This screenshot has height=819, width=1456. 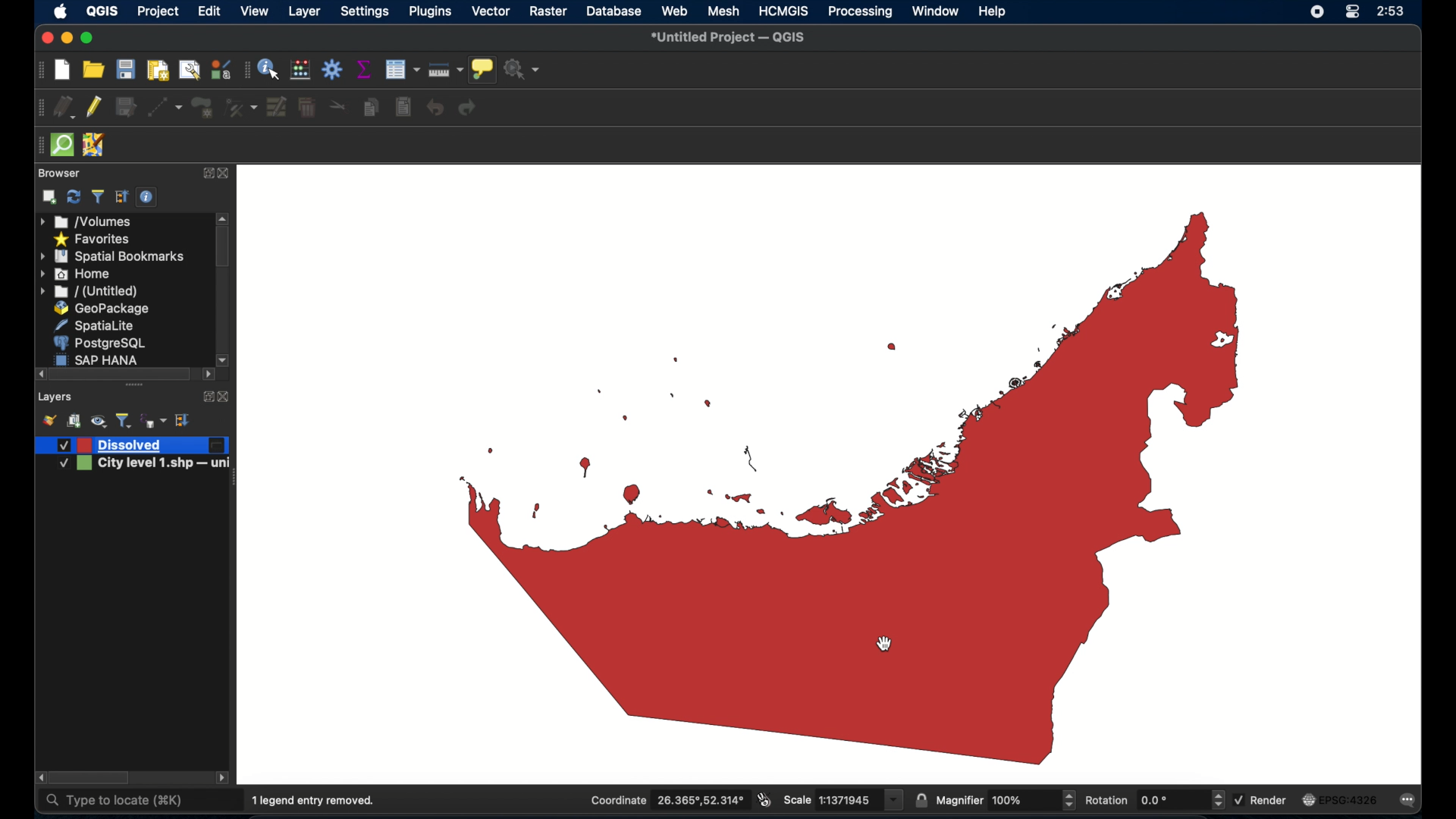 What do you see at coordinates (96, 325) in the screenshot?
I see `spatial lite` at bounding box center [96, 325].